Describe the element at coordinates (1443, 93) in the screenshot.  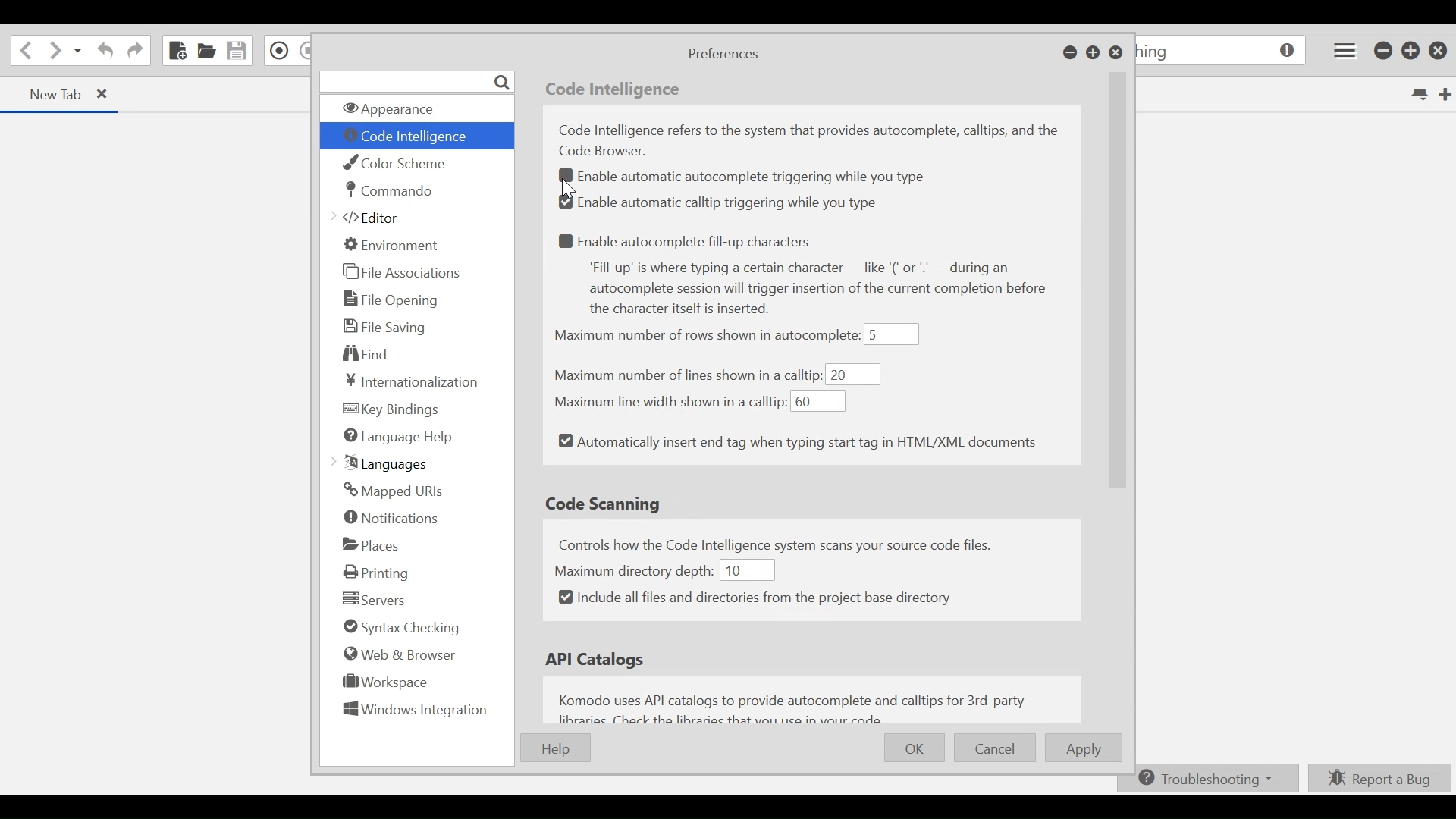
I see `New Tab ` at that location.